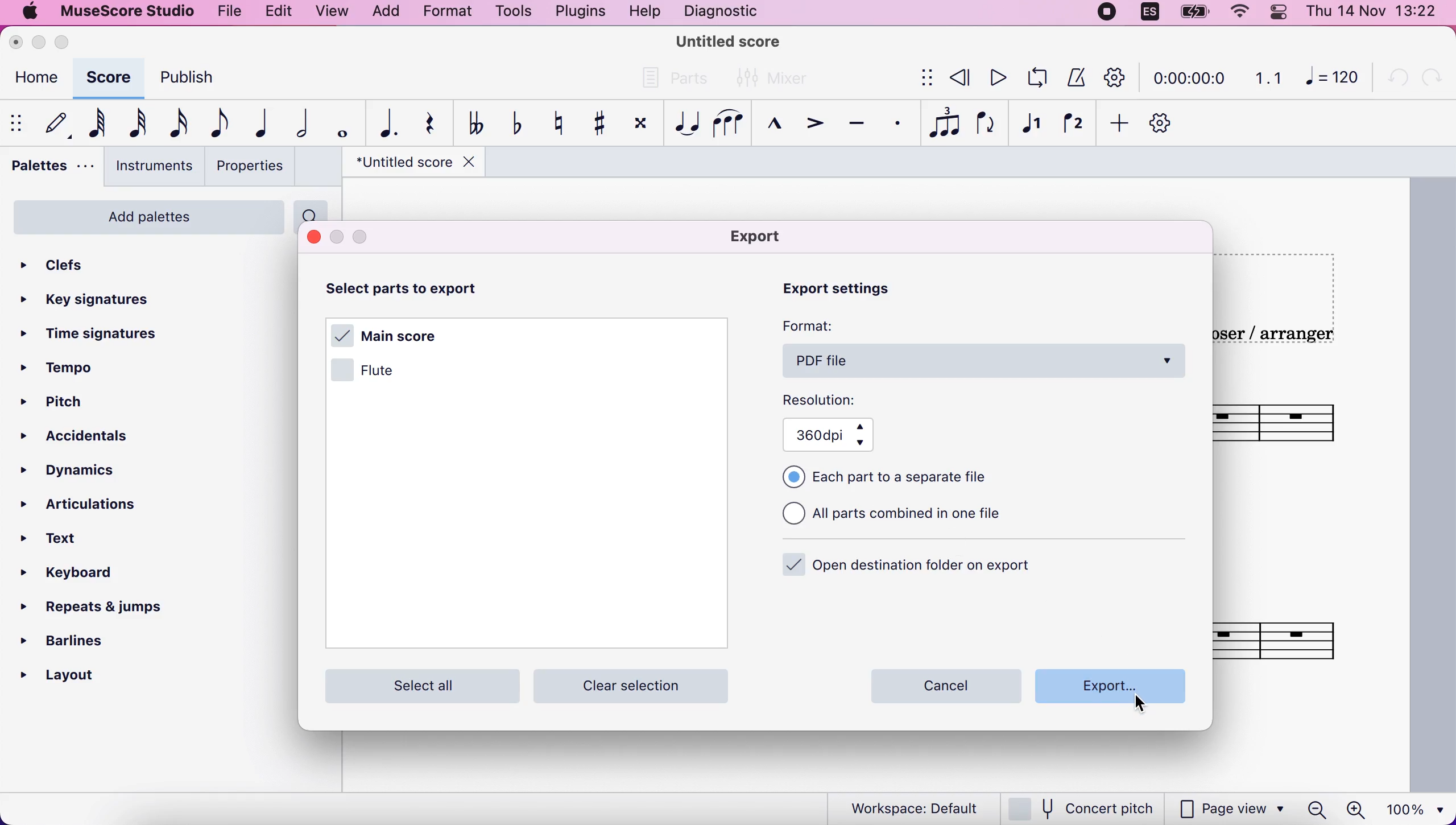 This screenshot has height=825, width=1456. I want to click on wifi, so click(1230, 13).